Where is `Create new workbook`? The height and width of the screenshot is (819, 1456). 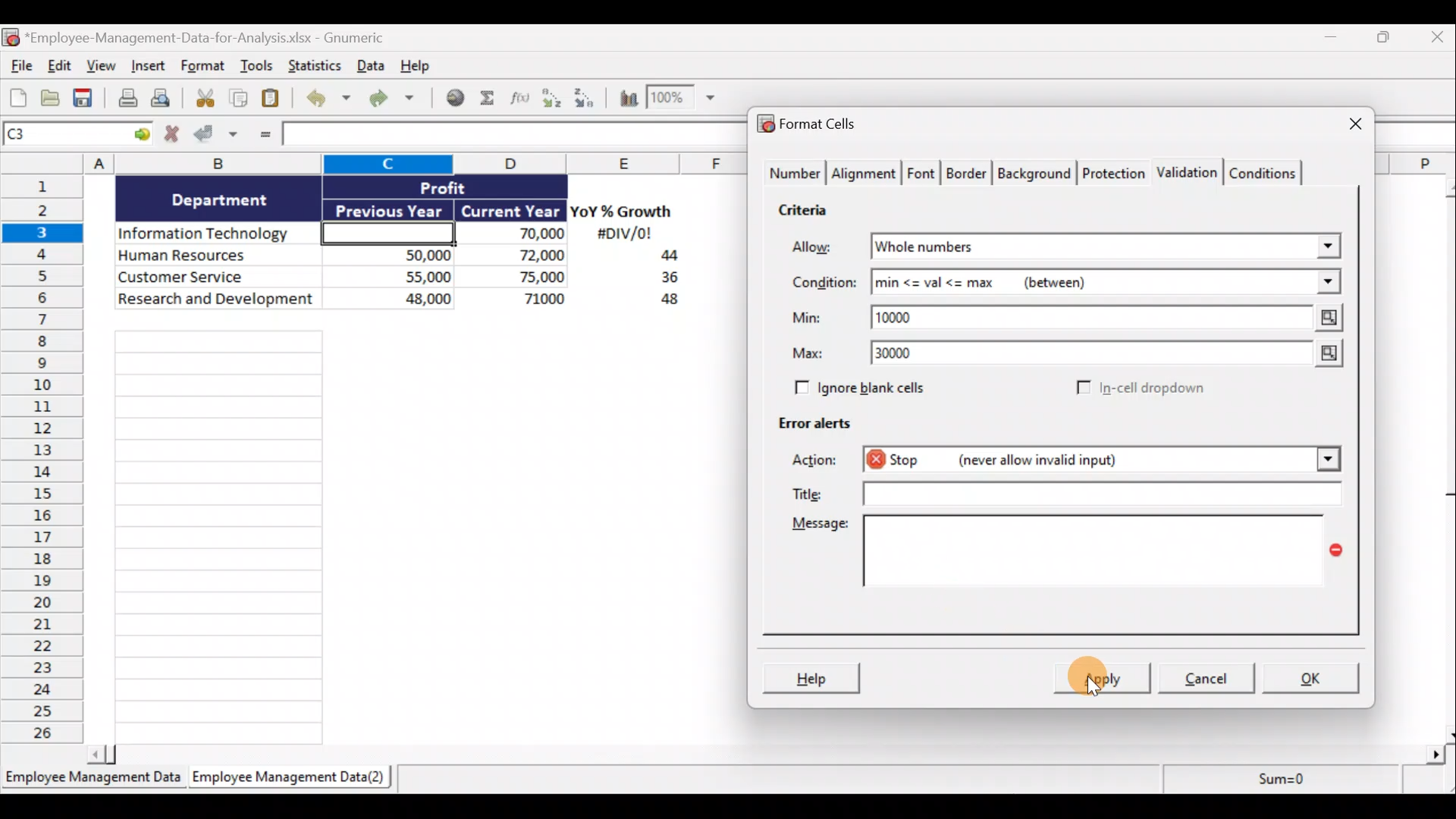 Create new workbook is located at coordinates (18, 97).